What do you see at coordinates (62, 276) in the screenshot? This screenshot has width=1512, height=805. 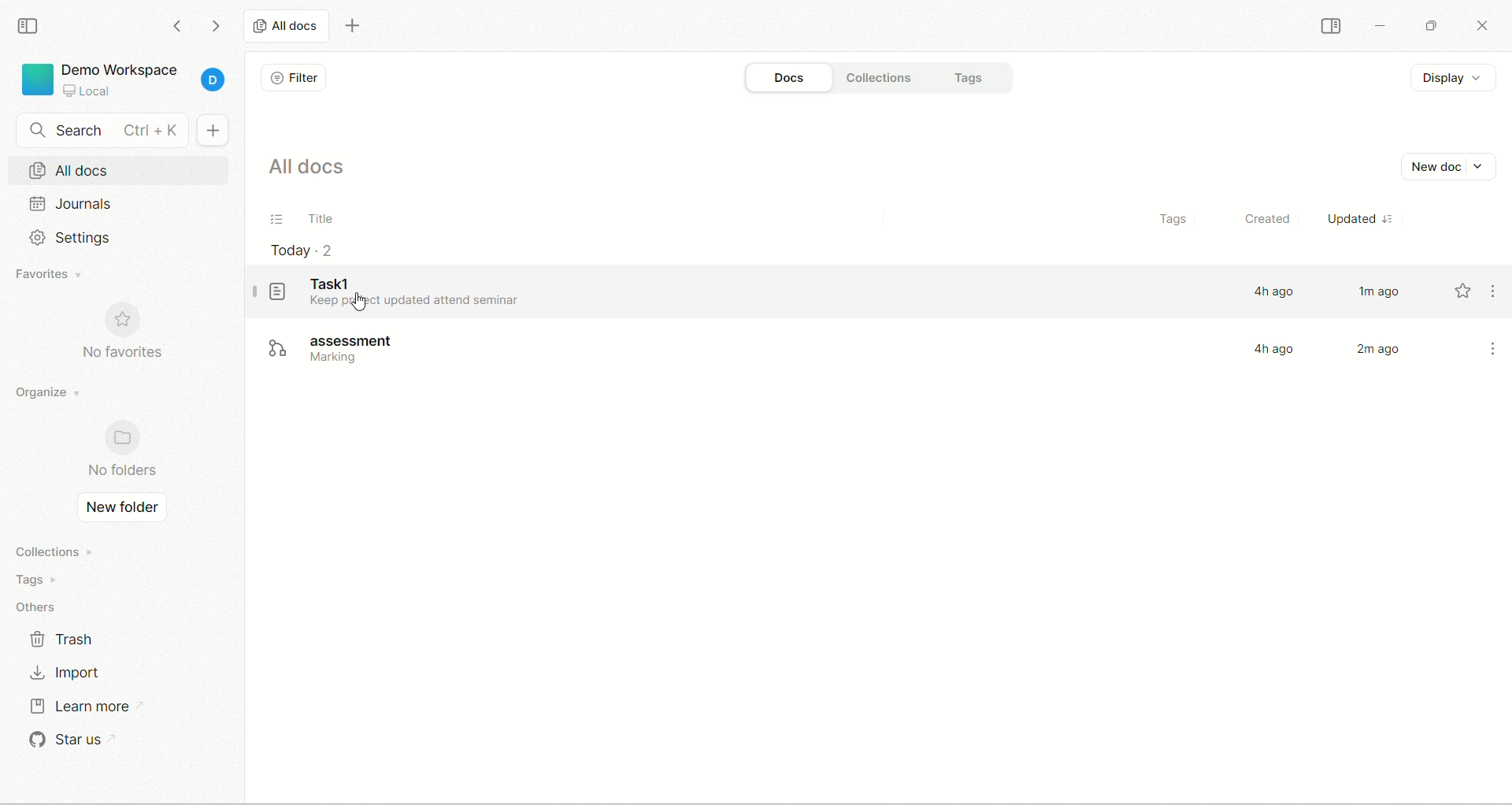 I see `favorites` at bounding box center [62, 276].